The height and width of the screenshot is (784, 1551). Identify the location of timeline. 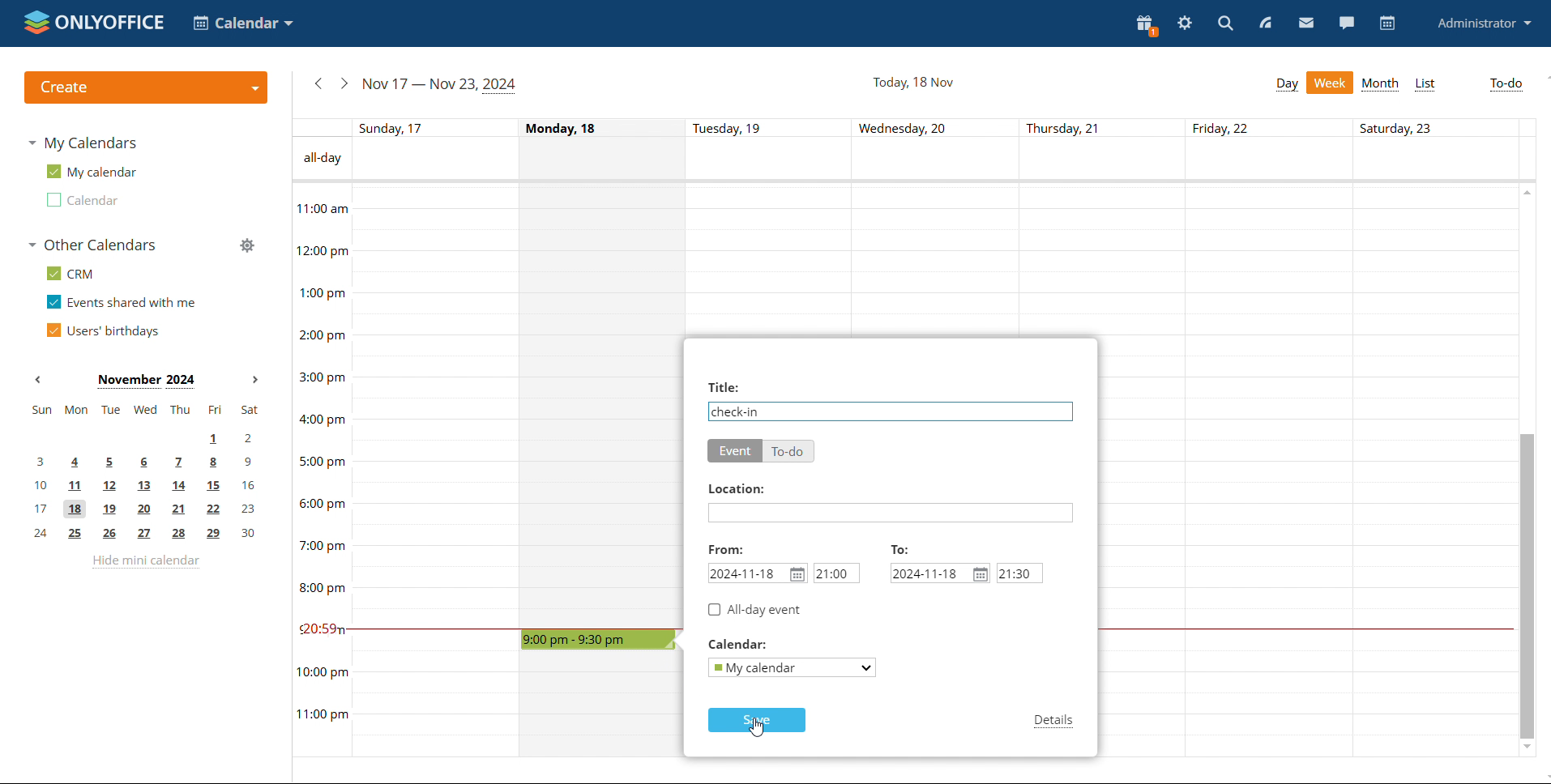
(321, 470).